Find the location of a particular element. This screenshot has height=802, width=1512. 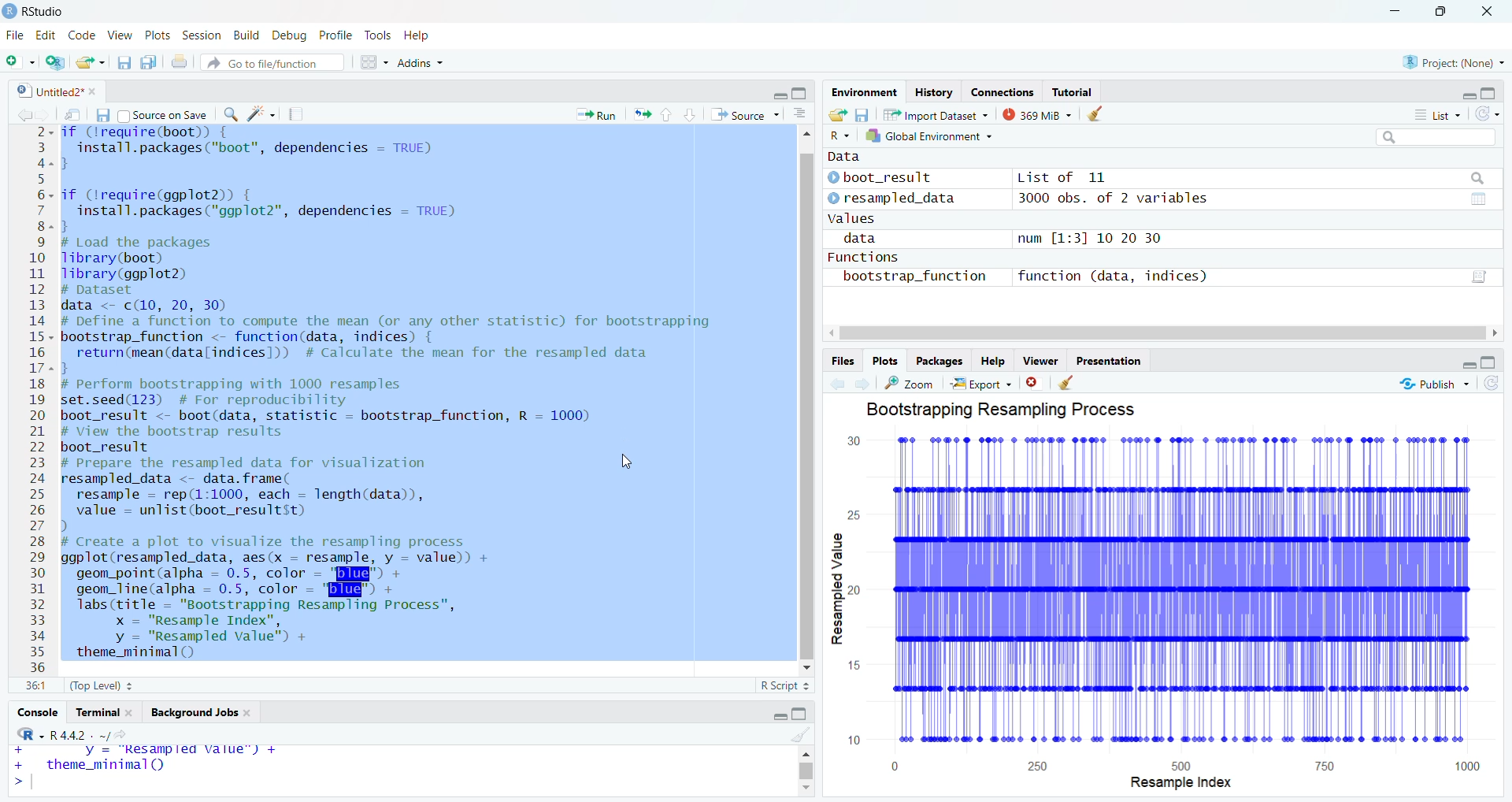

data is located at coordinates (854, 237).